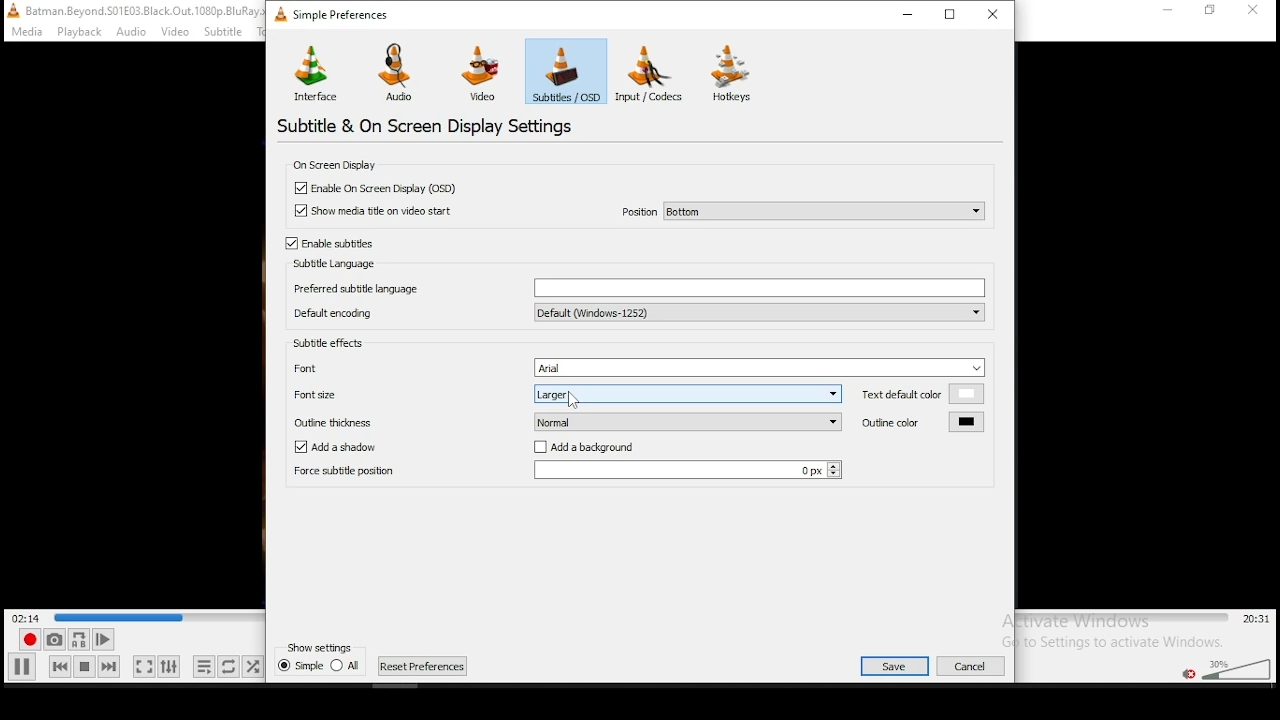 The image size is (1280, 720). I want to click on volume, so click(1235, 667).